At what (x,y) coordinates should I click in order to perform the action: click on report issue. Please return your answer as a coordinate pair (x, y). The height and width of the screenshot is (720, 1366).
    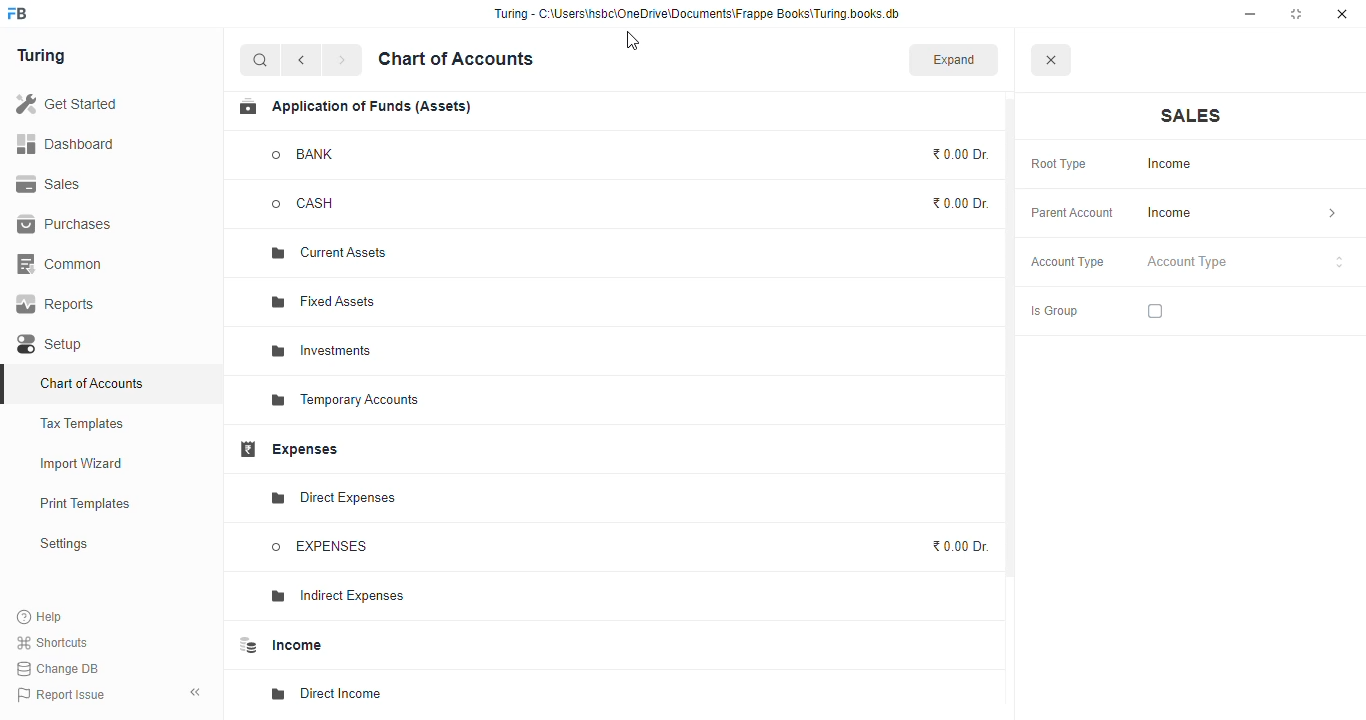
    Looking at the image, I should click on (60, 694).